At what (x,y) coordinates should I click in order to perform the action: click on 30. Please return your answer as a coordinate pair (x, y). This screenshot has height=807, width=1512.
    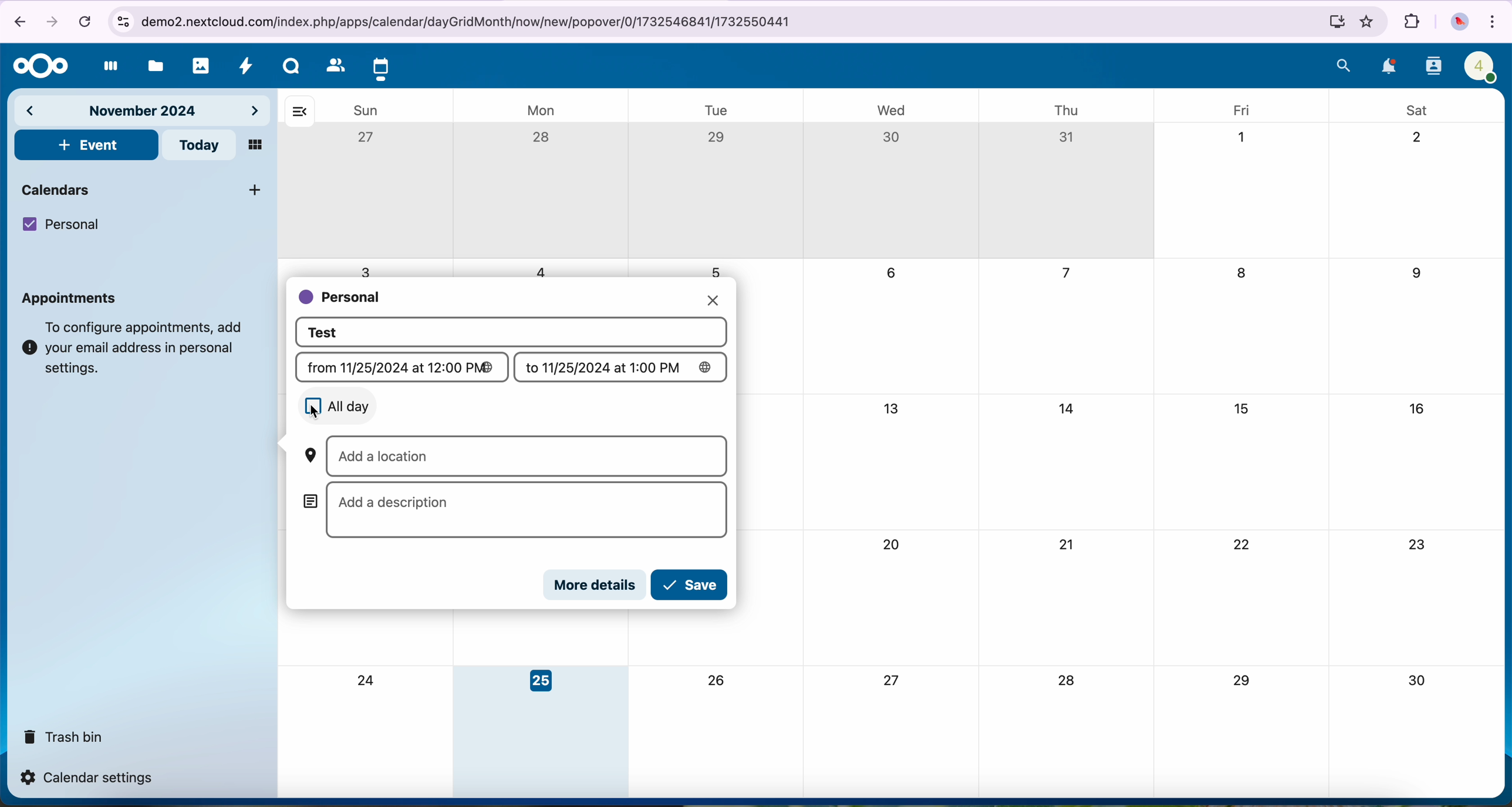
    Looking at the image, I should click on (891, 137).